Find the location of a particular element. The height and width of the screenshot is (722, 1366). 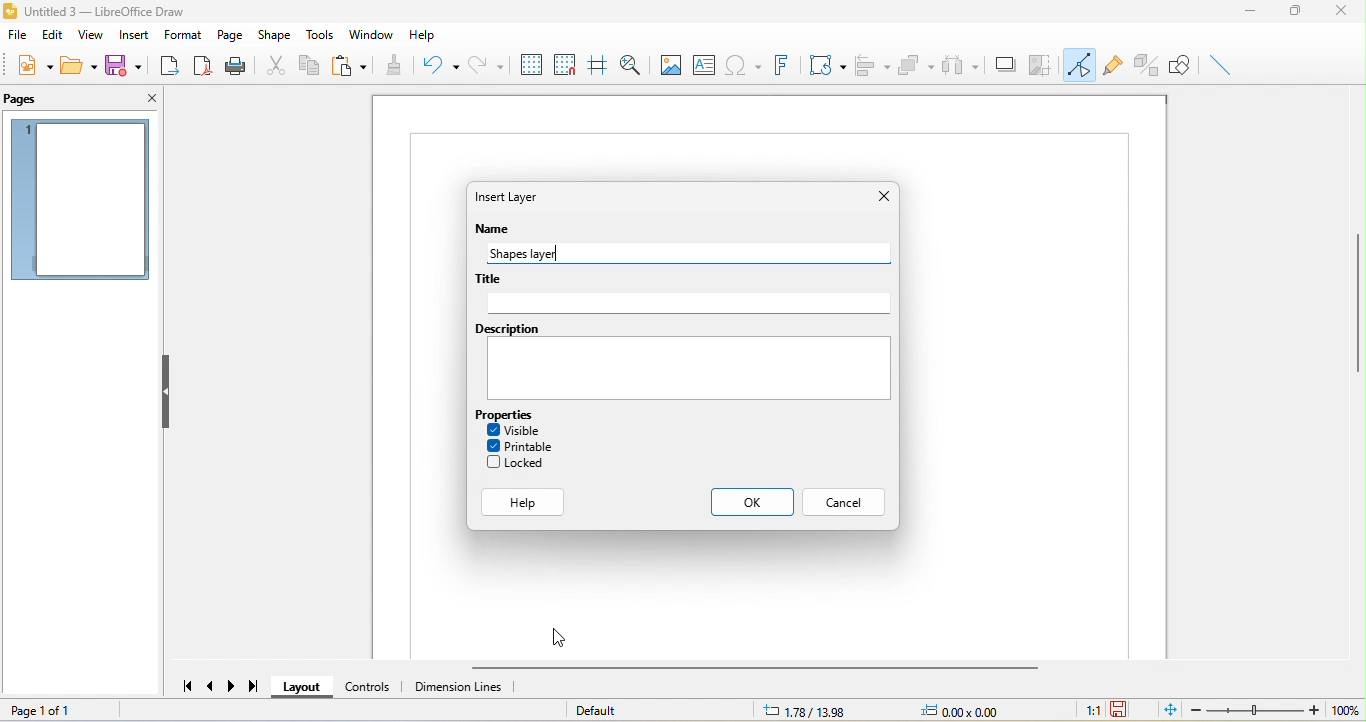

locked is located at coordinates (519, 463).